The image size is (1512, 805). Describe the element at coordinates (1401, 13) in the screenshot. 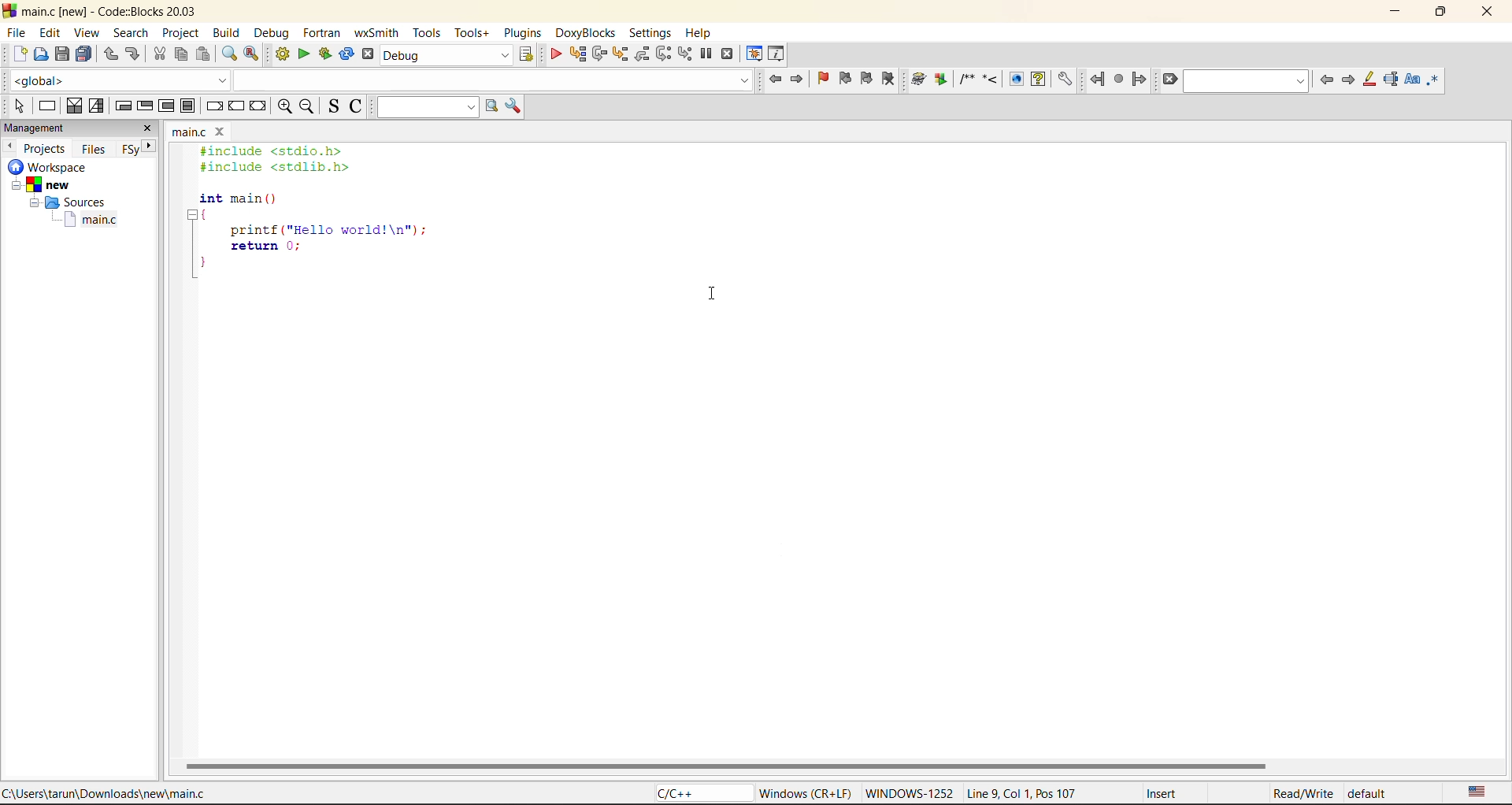

I see `minimize` at that location.